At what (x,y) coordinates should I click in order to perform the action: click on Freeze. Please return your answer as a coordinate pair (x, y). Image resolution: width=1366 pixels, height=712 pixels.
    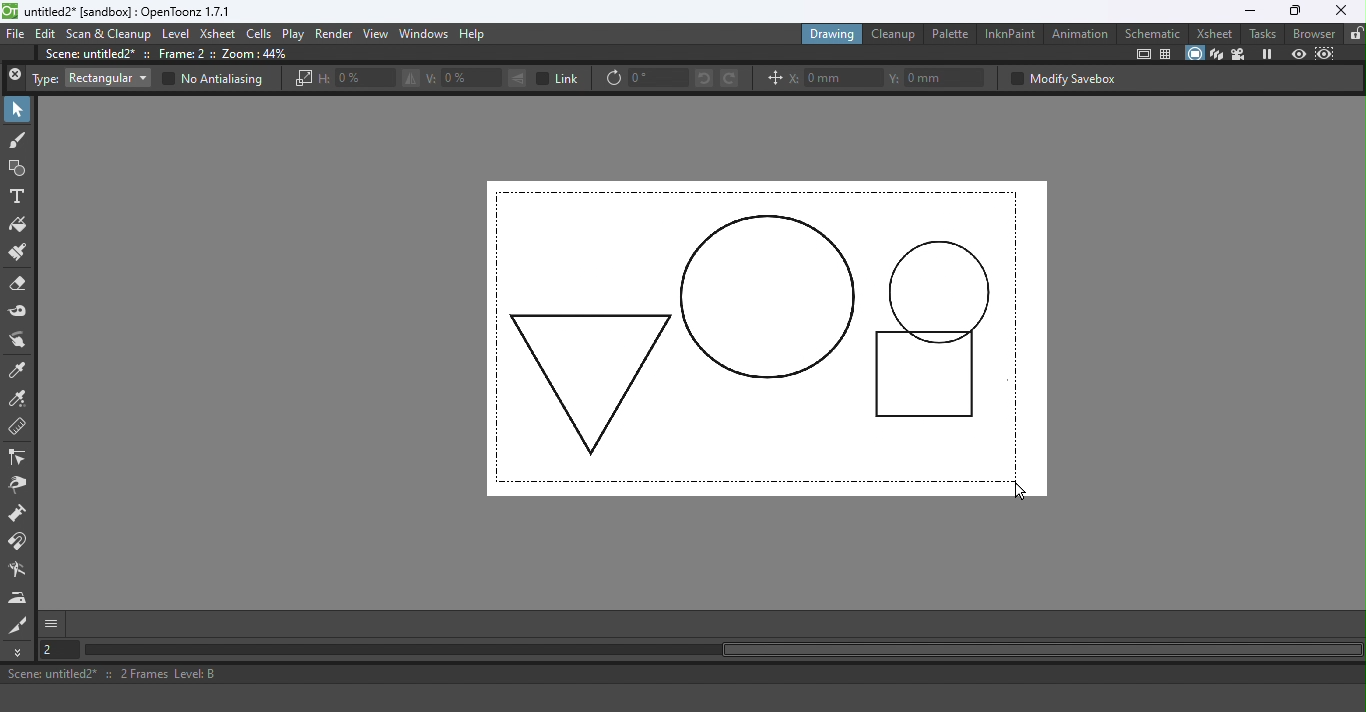
    Looking at the image, I should click on (1268, 53).